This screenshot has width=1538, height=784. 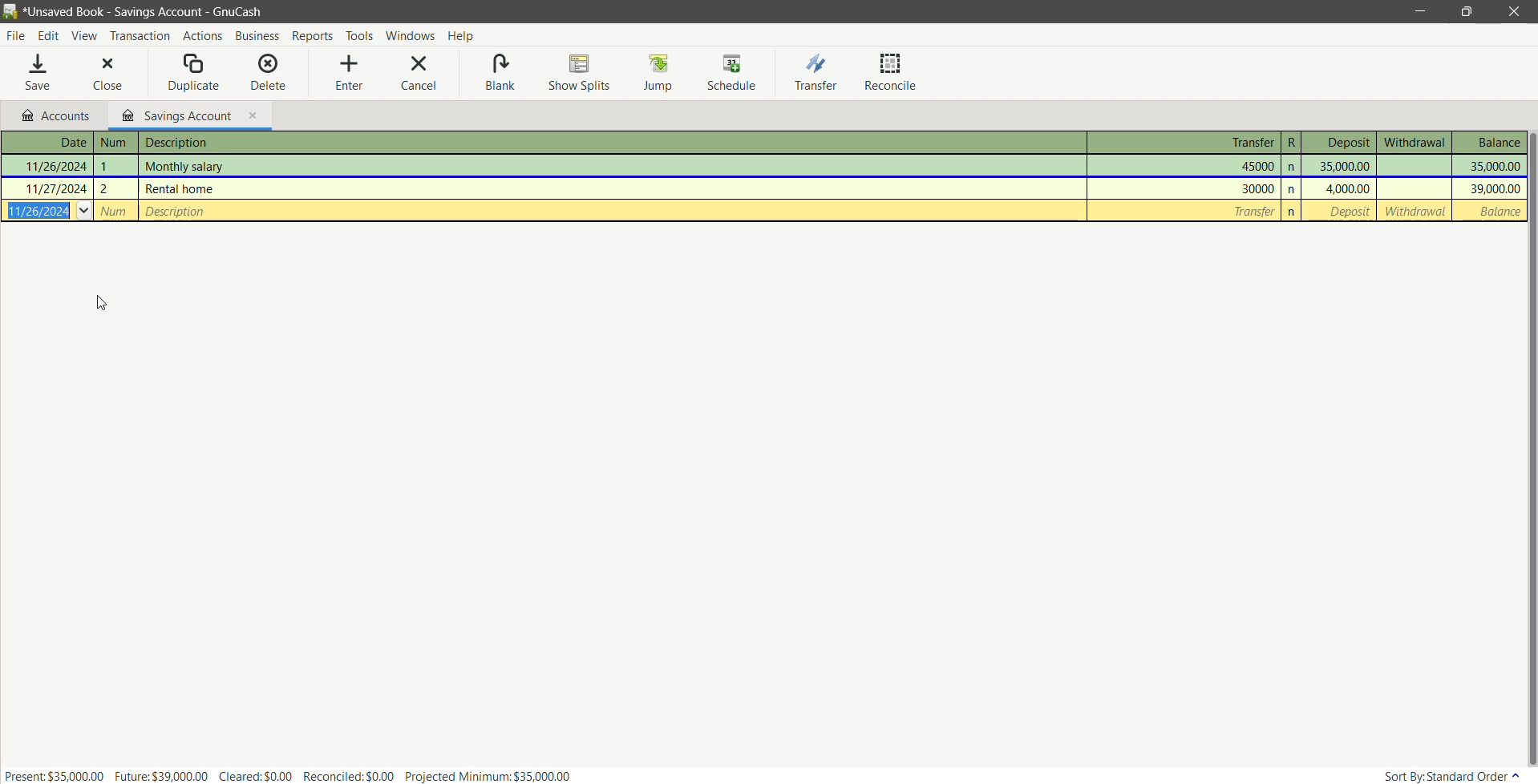 I want to click on Delete, so click(x=269, y=70).